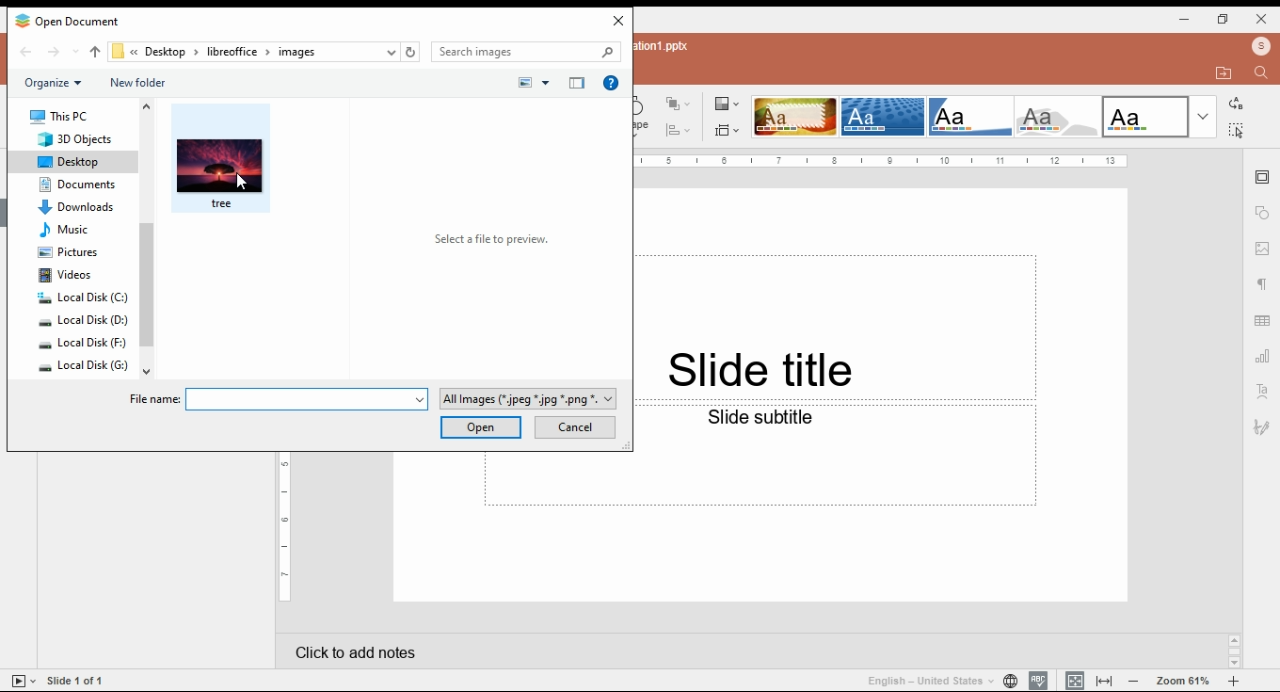  I want to click on start slideshow, so click(22, 681).